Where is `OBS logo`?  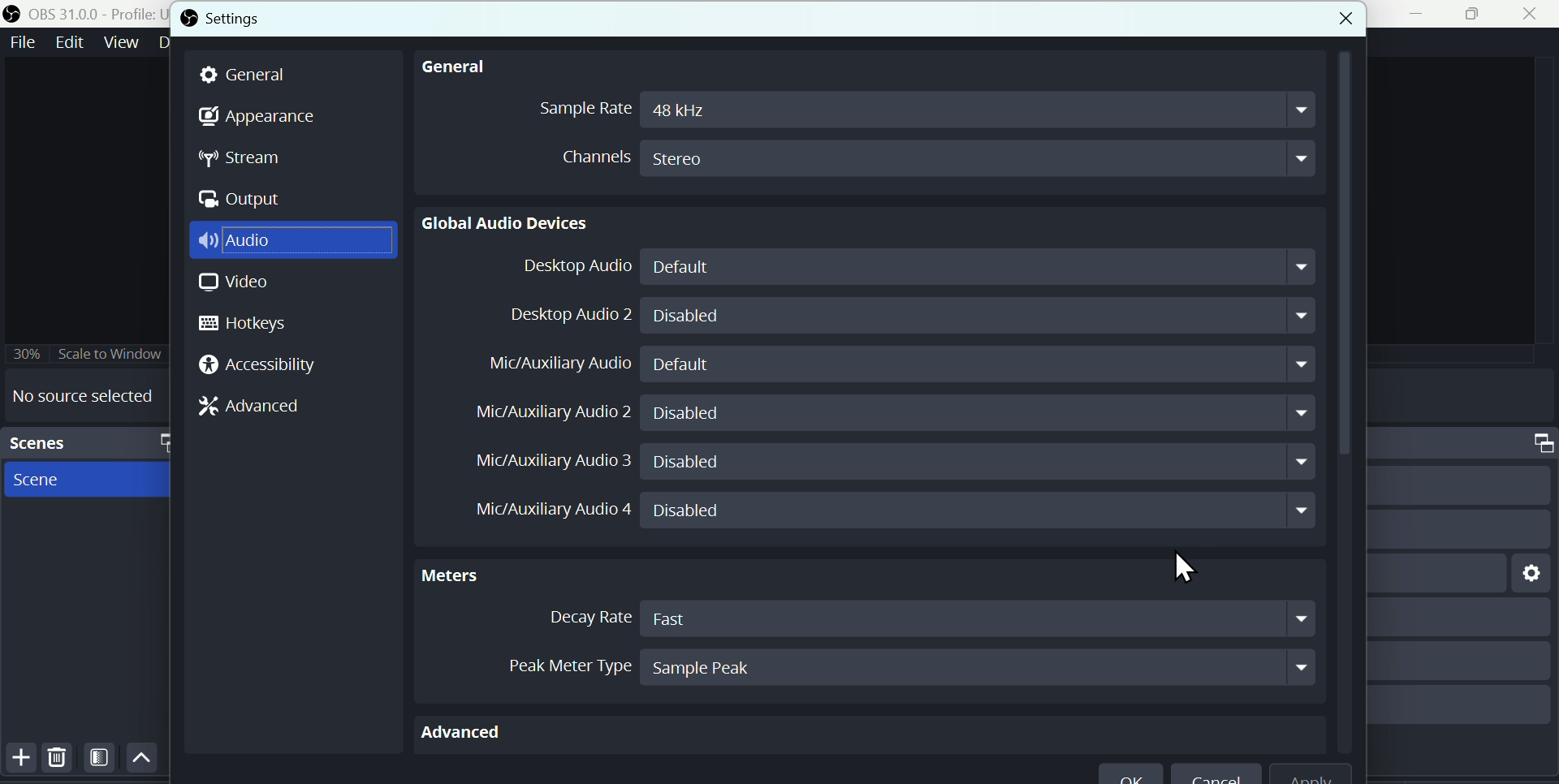 OBS logo is located at coordinates (188, 18).